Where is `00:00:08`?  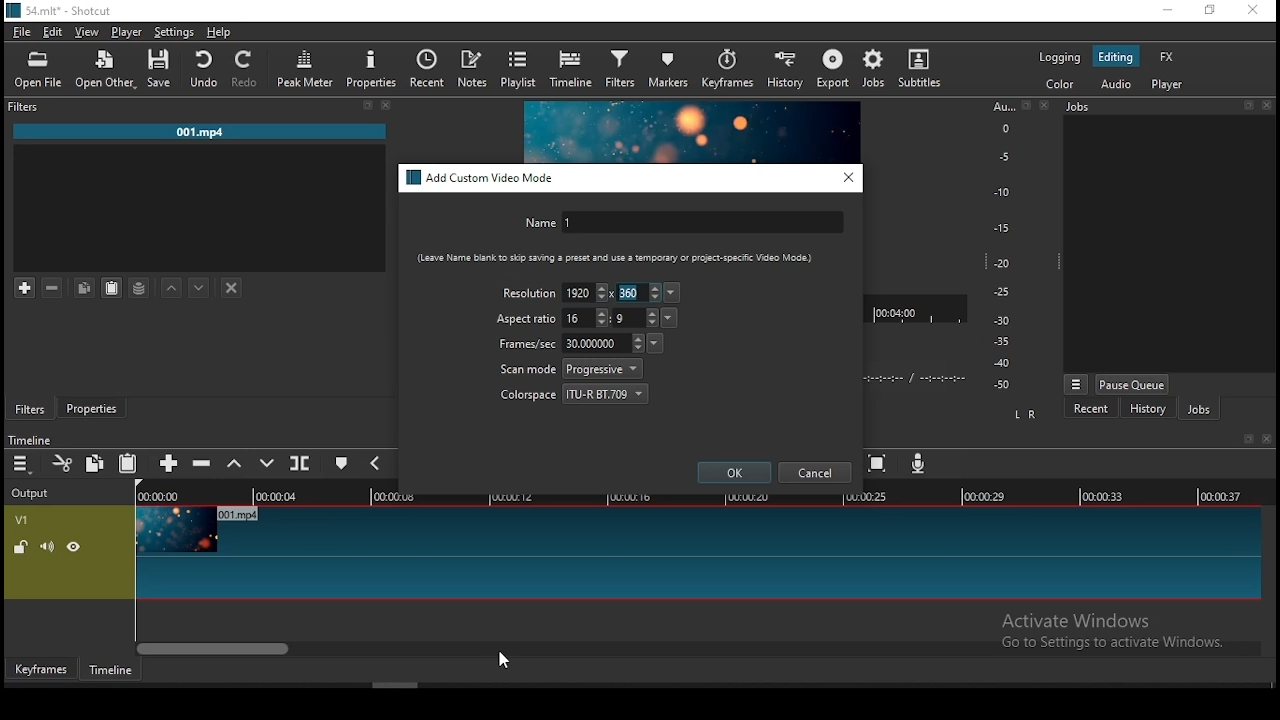
00:00:08 is located at coordinates (402, 497).